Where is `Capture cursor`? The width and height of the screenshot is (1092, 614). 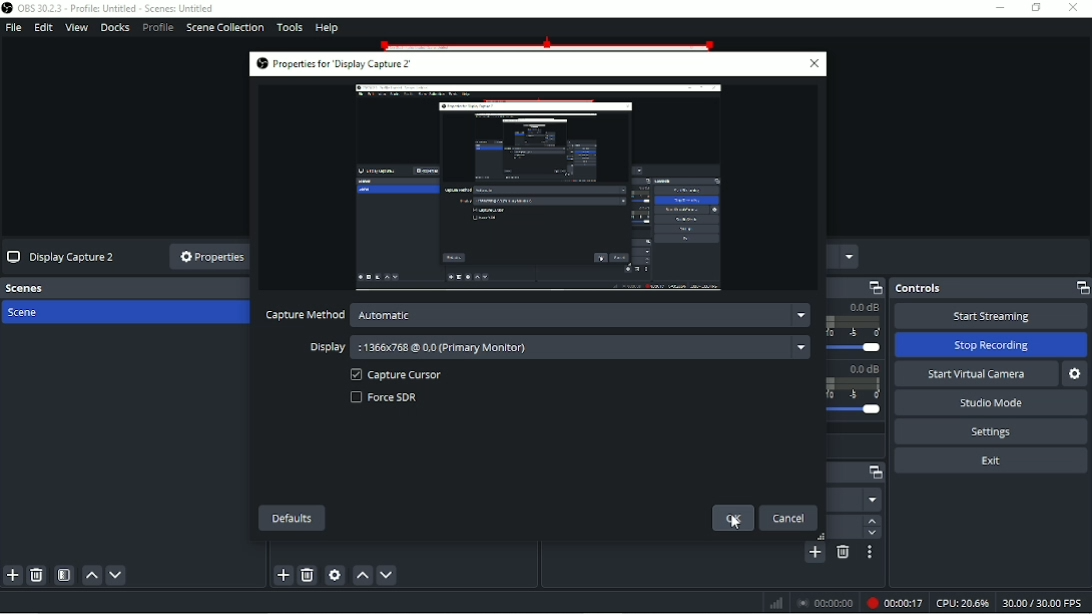 Capture cursor is located at coordinates (395, 375).